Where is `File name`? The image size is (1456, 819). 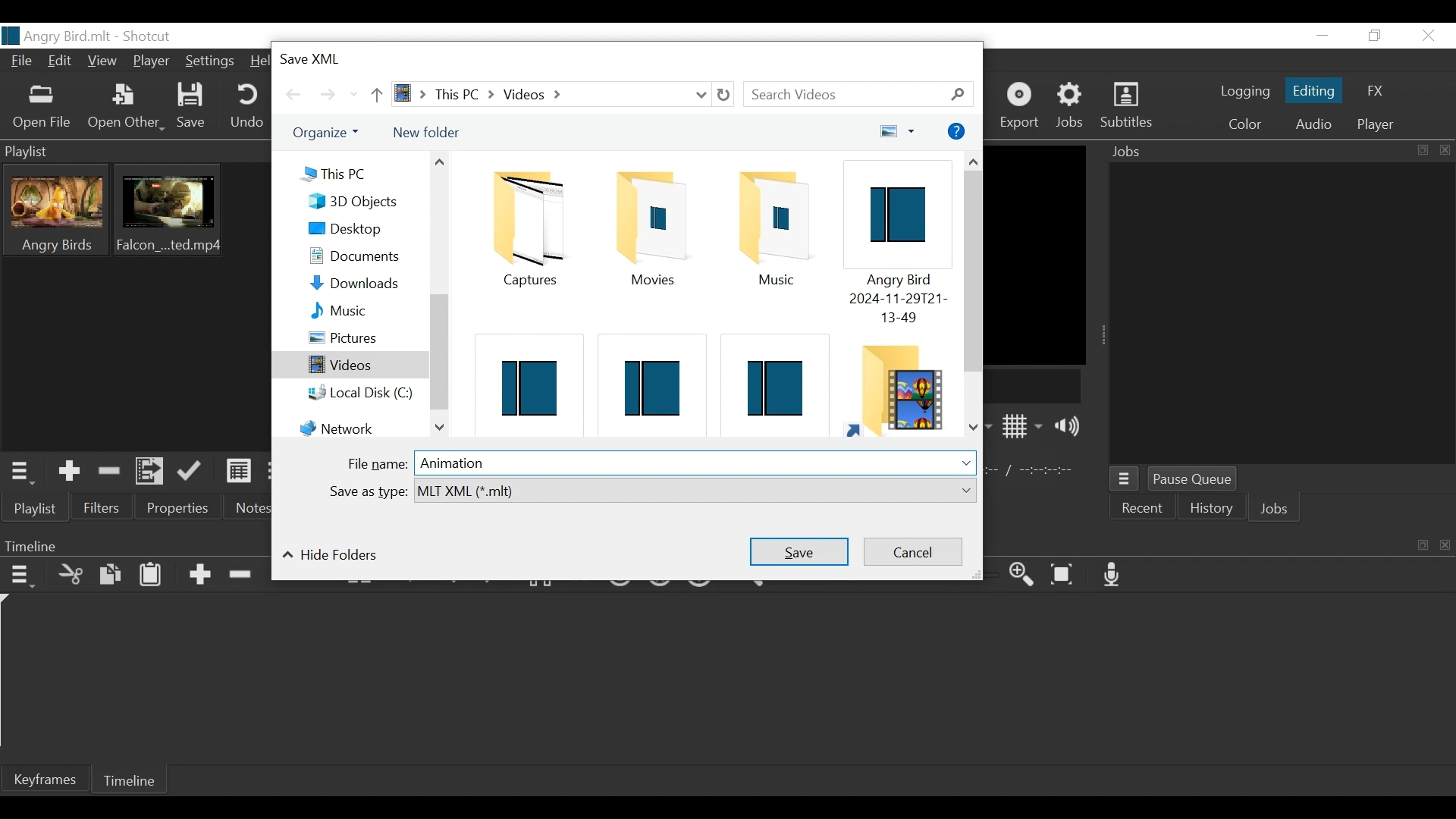 File name is located at coordinates (55, 37).